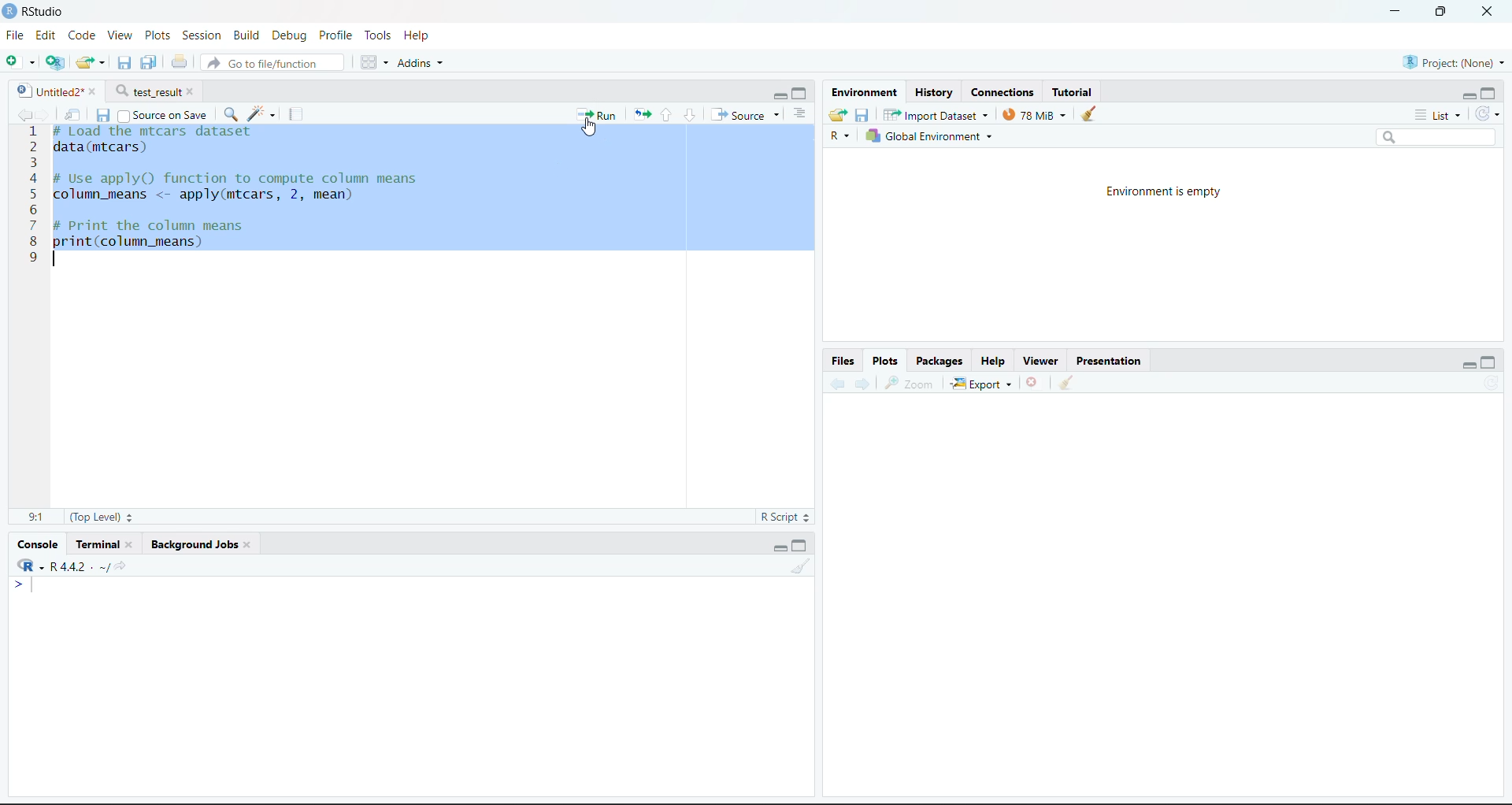 This screenshot has height=805, width=1512. I want to click on Clear console (Ctrl +L), so click(1071, 380).